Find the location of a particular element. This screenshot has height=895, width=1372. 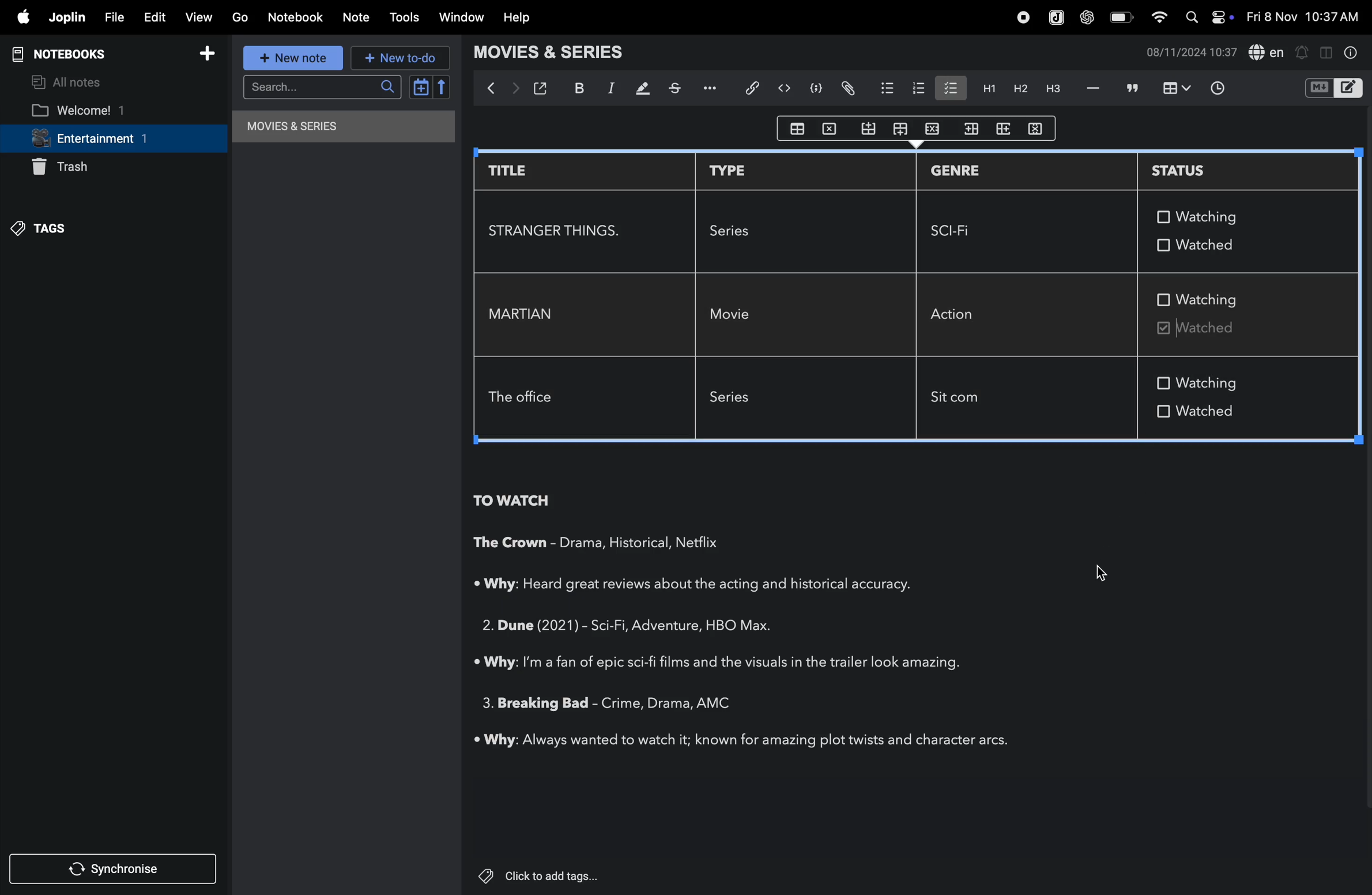

notebooks is located at coordinates (67, 52).